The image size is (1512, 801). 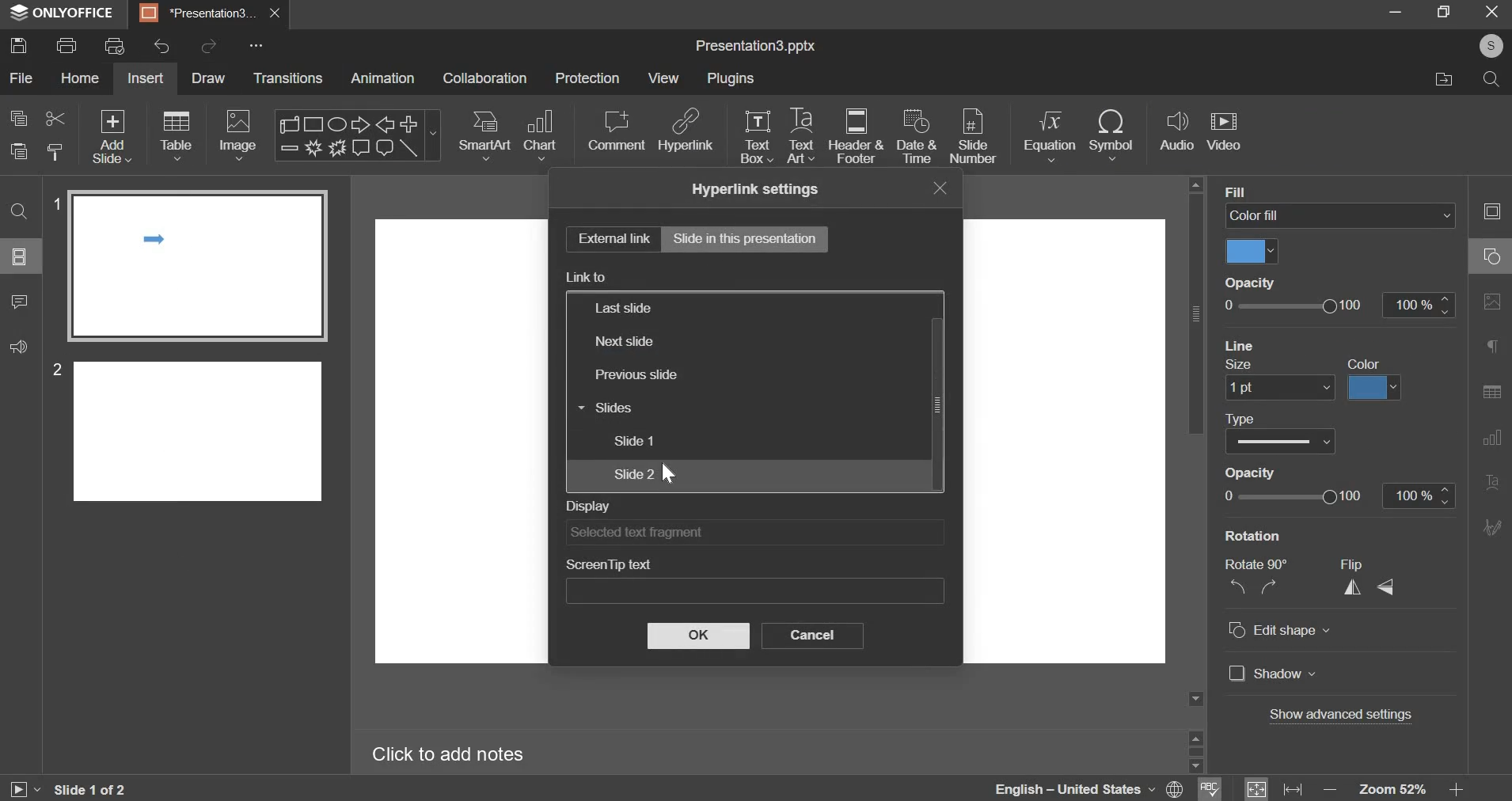 I want to click on Shape settings, so click(x=1491, y=256).